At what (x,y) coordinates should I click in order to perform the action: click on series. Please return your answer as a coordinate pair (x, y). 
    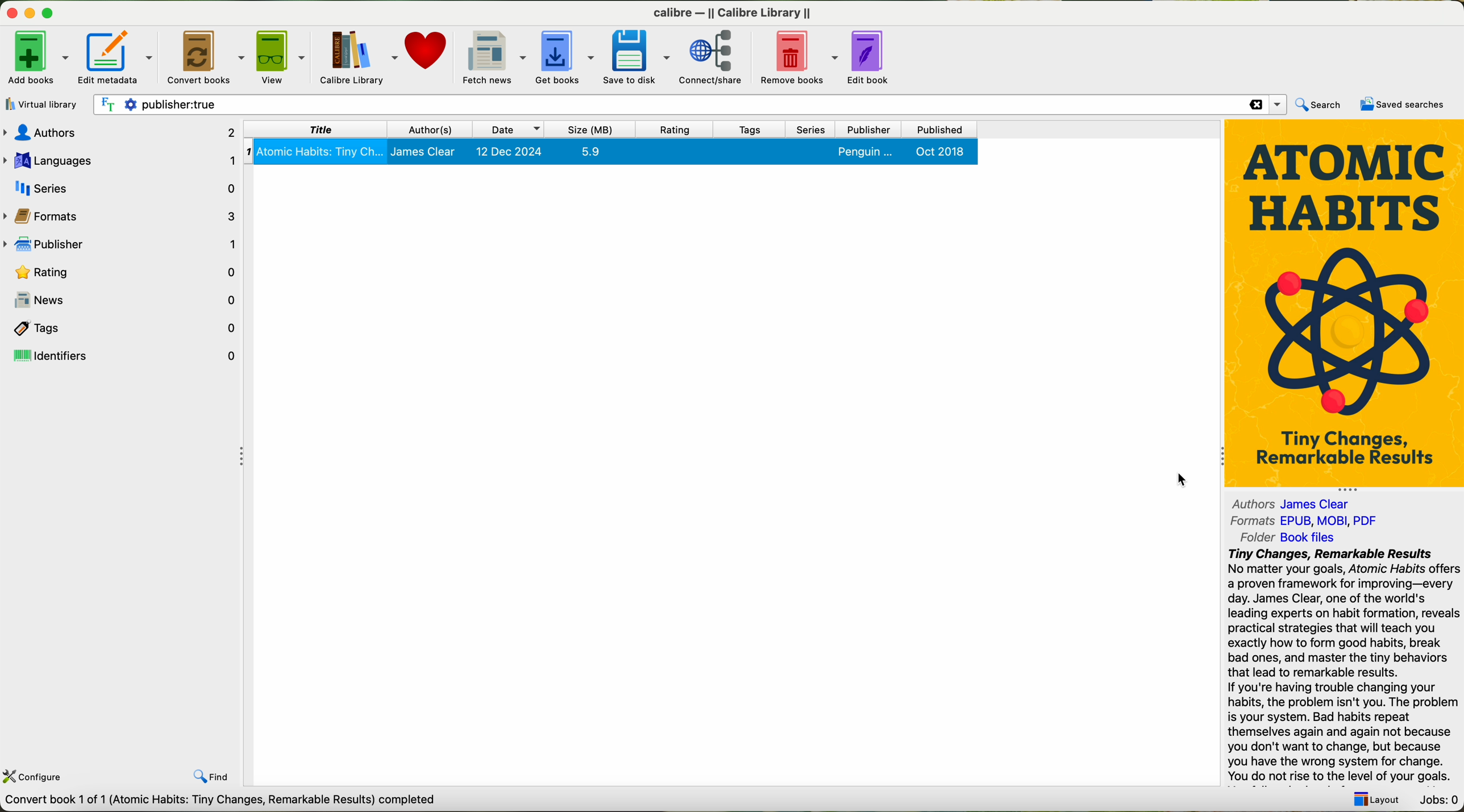
    Looking at the image, I should click on (123, 188).